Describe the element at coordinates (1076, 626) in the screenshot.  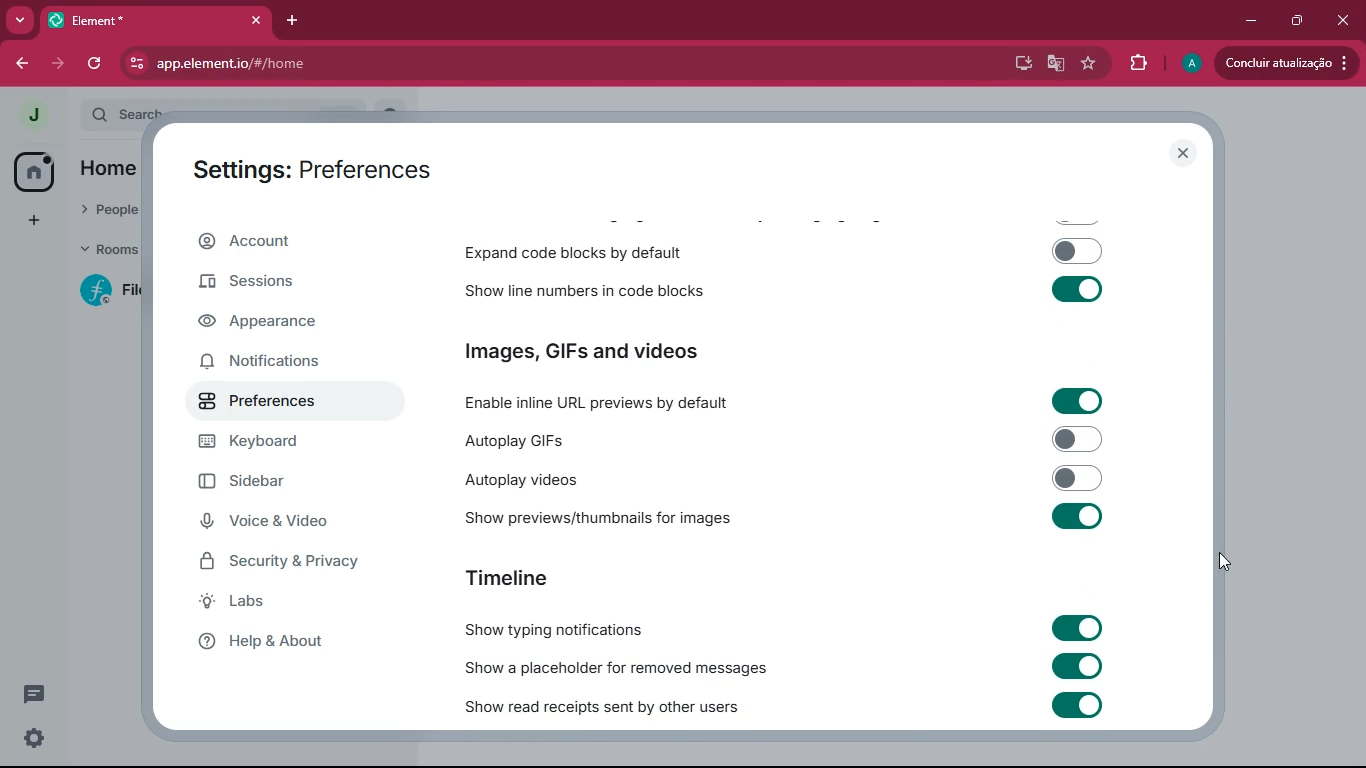
I see `toggle on/off` at that location.